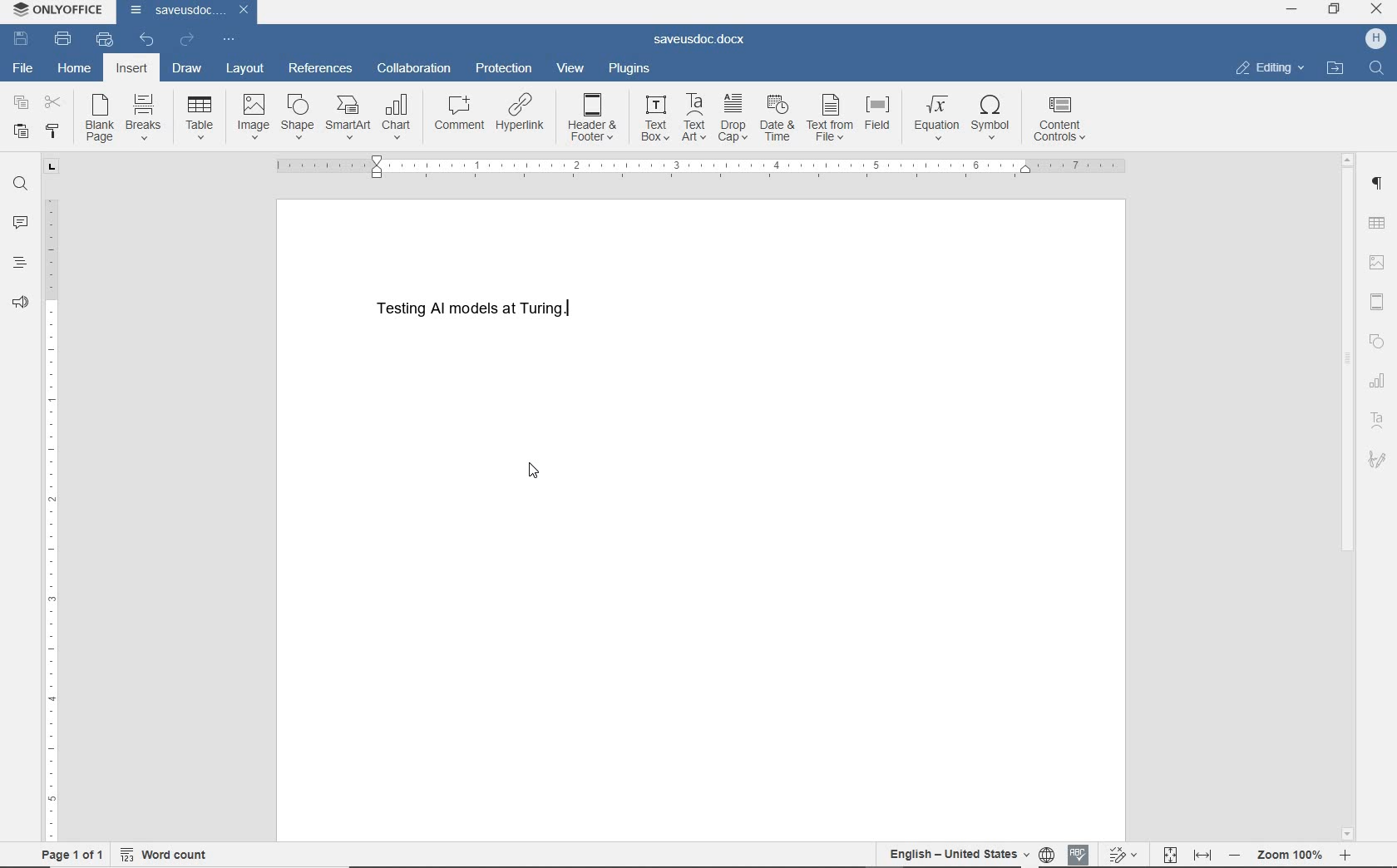 Image resolution: width=1397 pixels, height=868 pixels. Describe the element at coordinates (1080, 856) in the screenshot. I see `Spell checking` at that location.